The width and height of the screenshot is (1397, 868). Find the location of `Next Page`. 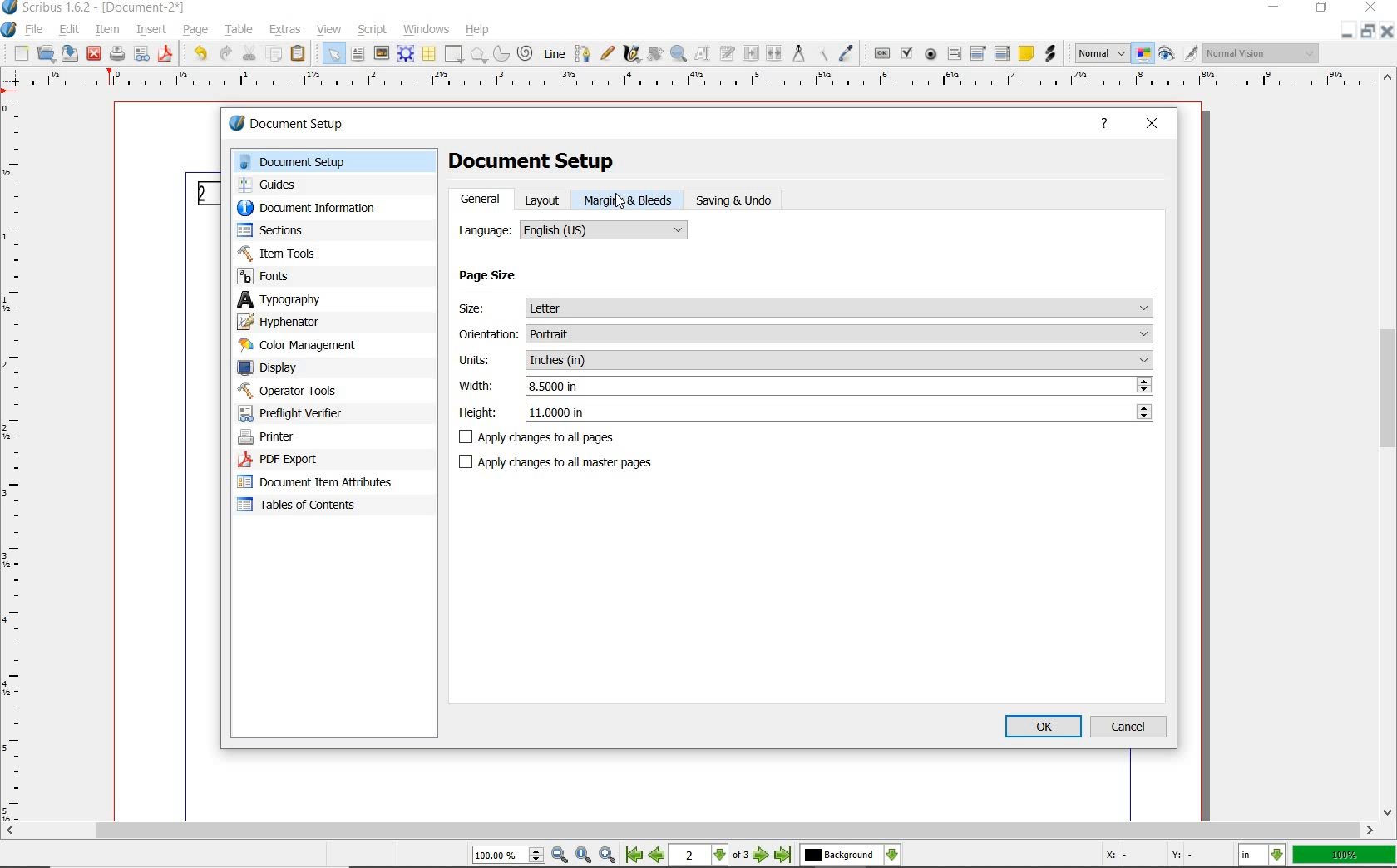

Next Page is located at coordinates (762, 856).